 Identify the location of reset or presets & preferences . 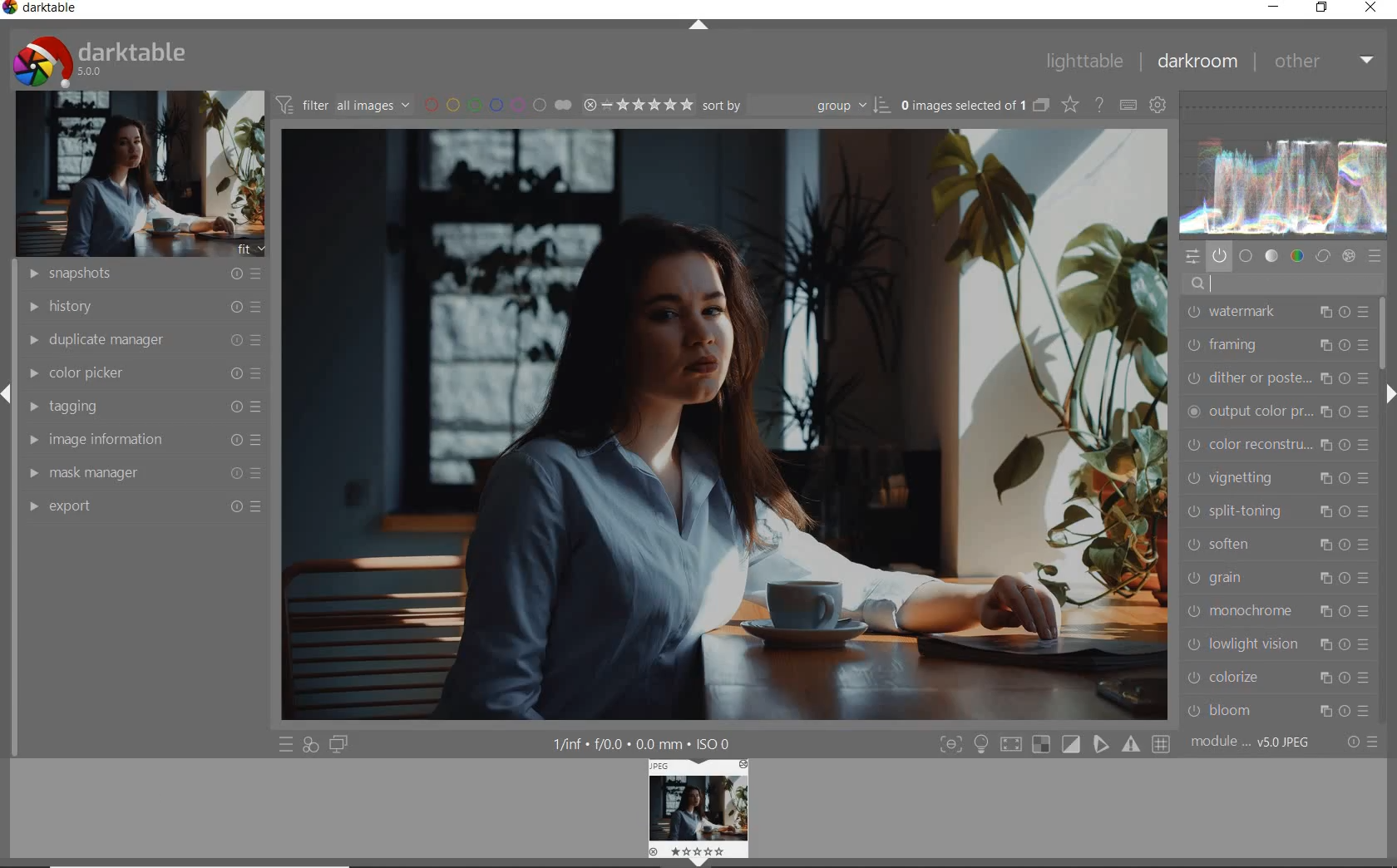
(1361, 742).